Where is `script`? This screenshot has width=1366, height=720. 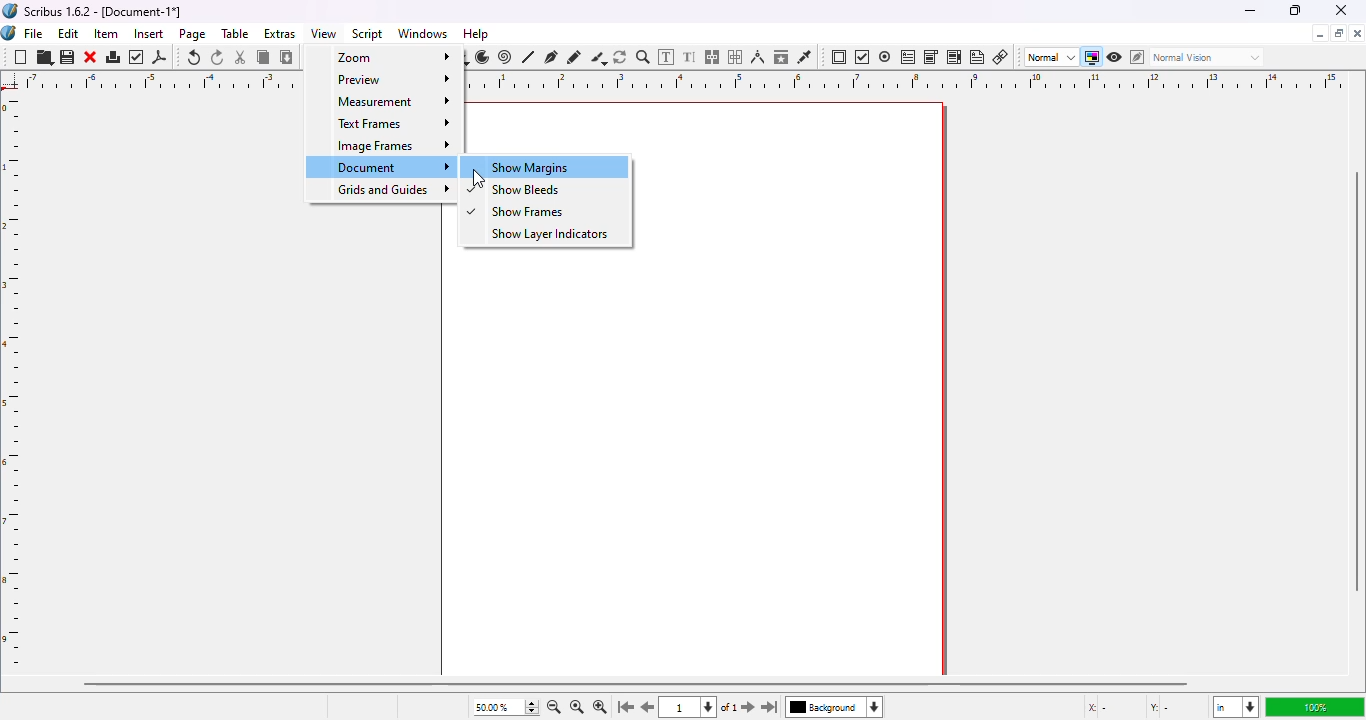
script is located at coordinates (370, 34).